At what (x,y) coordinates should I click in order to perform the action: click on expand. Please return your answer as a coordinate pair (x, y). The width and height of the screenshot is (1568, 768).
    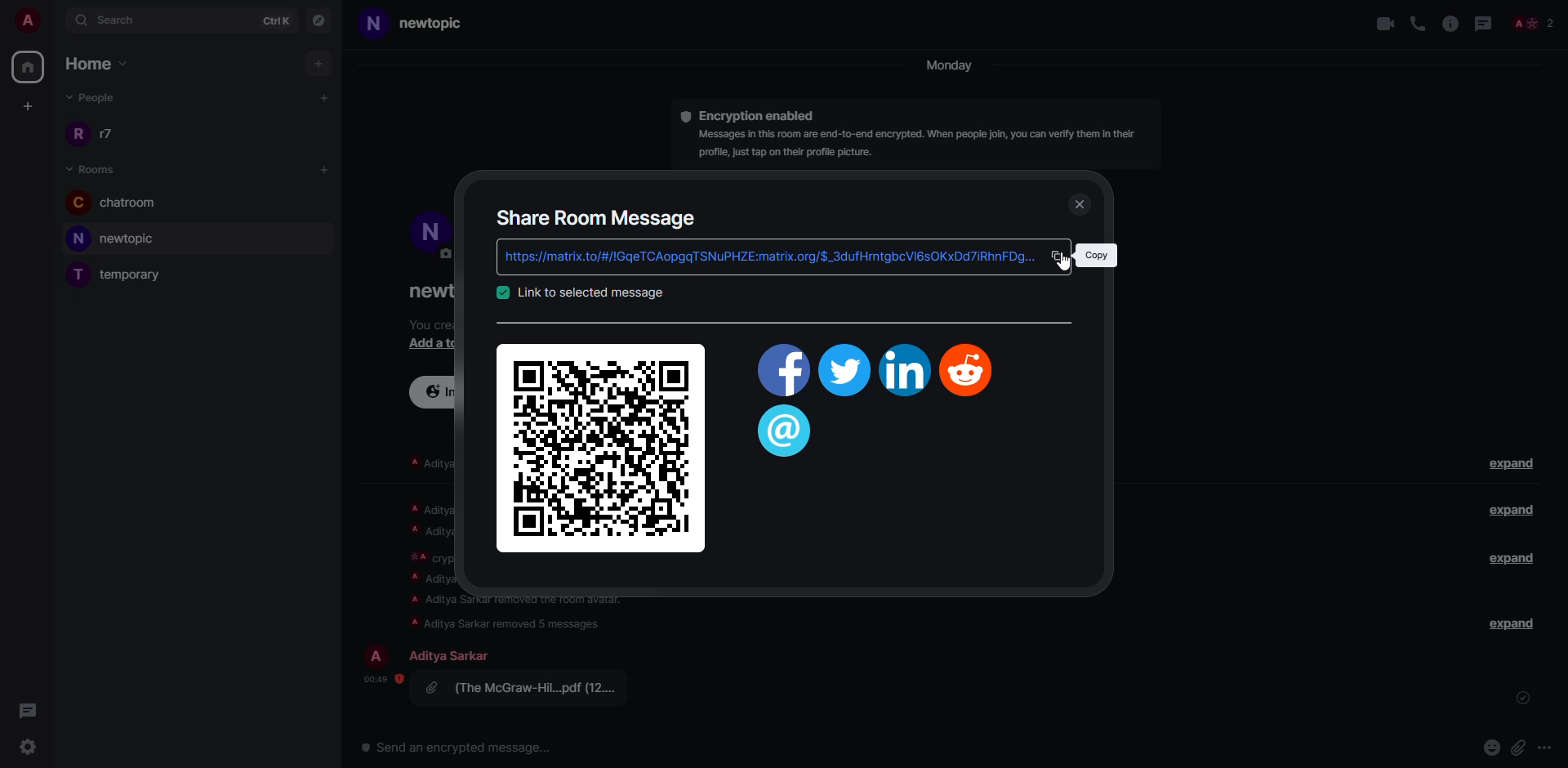
    Looking at the image, I should click on (1507, 557).